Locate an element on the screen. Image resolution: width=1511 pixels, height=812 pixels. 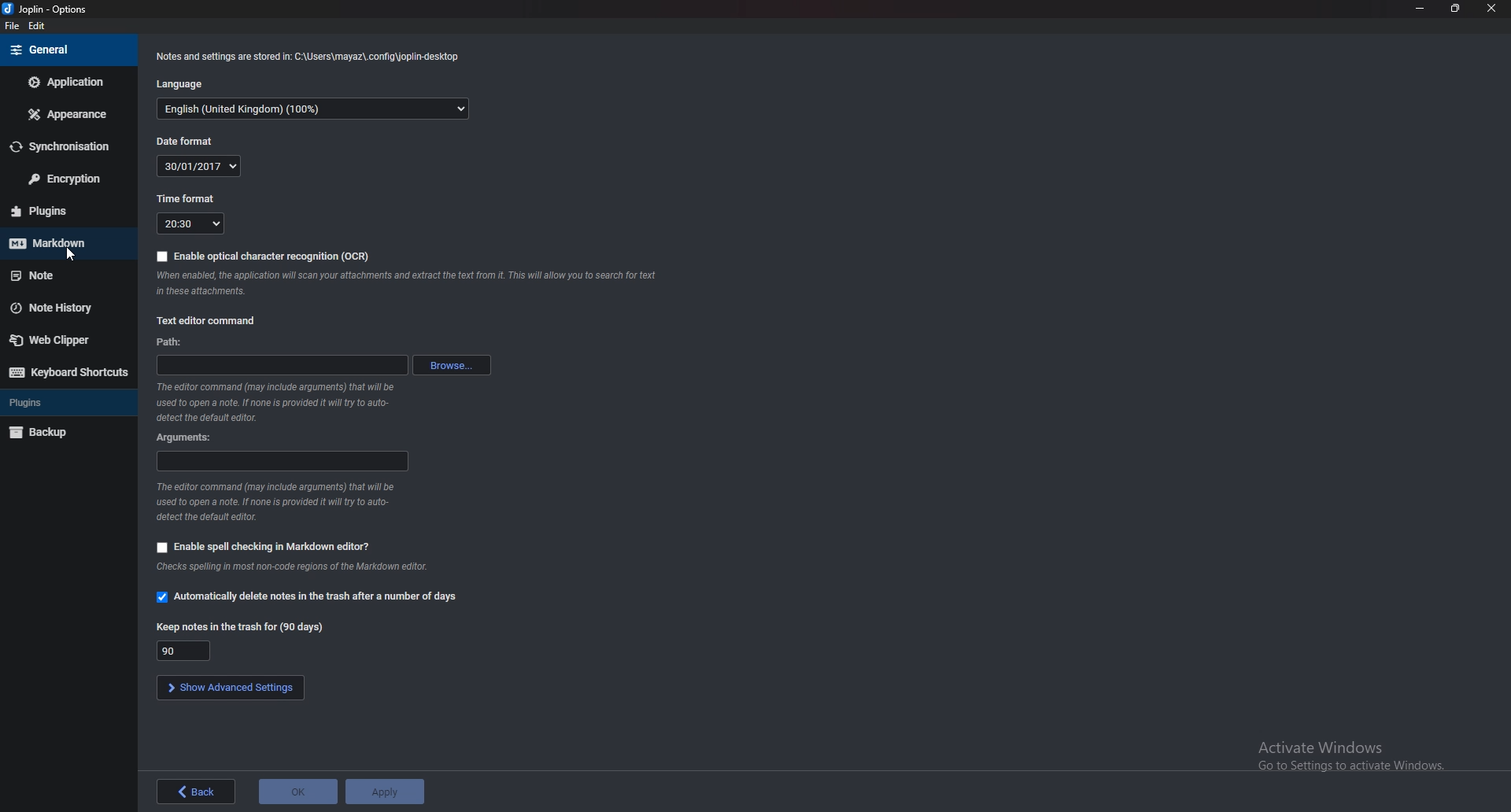
Application is located at coordinates (67, 83).